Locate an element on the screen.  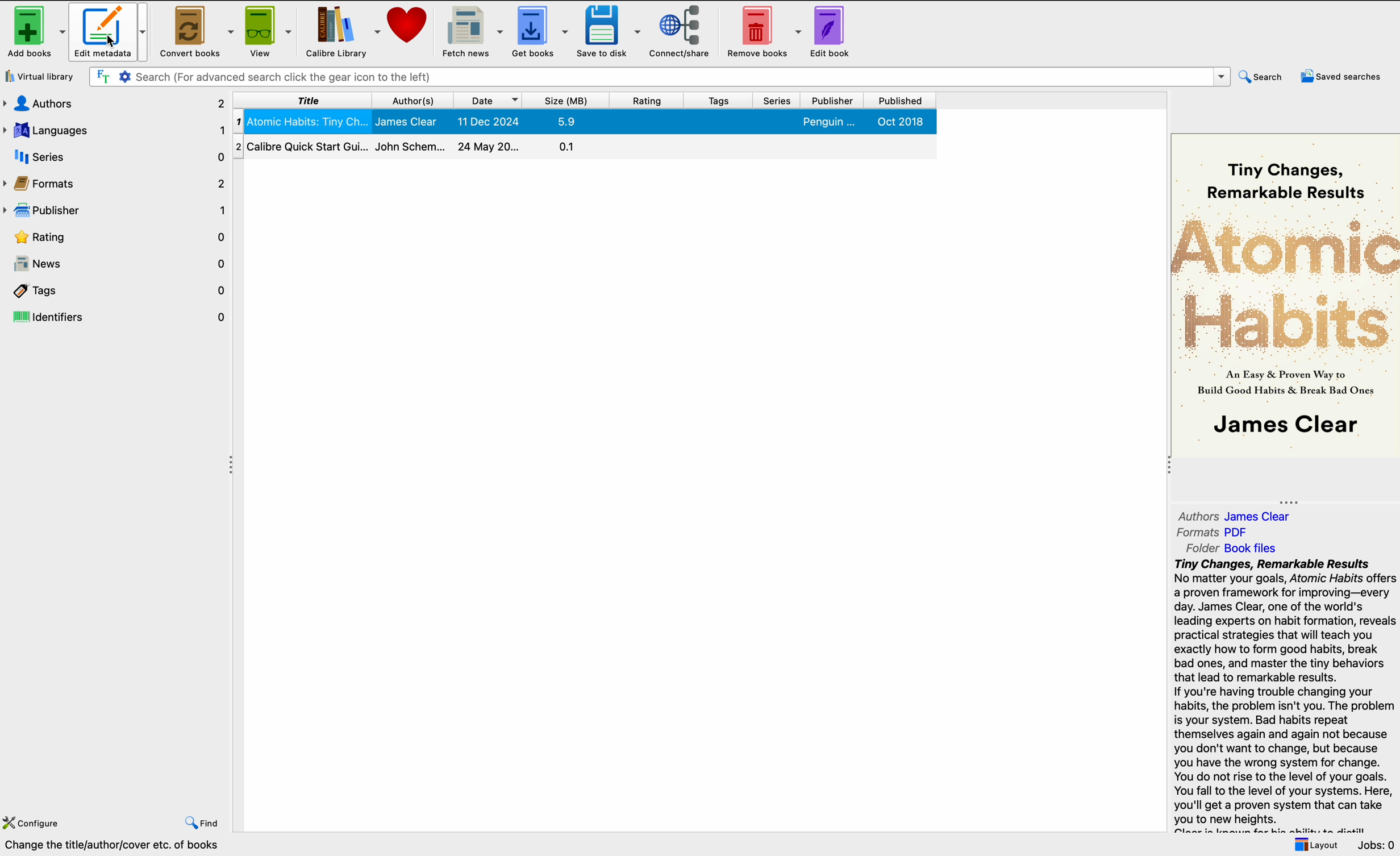
virtual library is located at coordinates (41, 77).